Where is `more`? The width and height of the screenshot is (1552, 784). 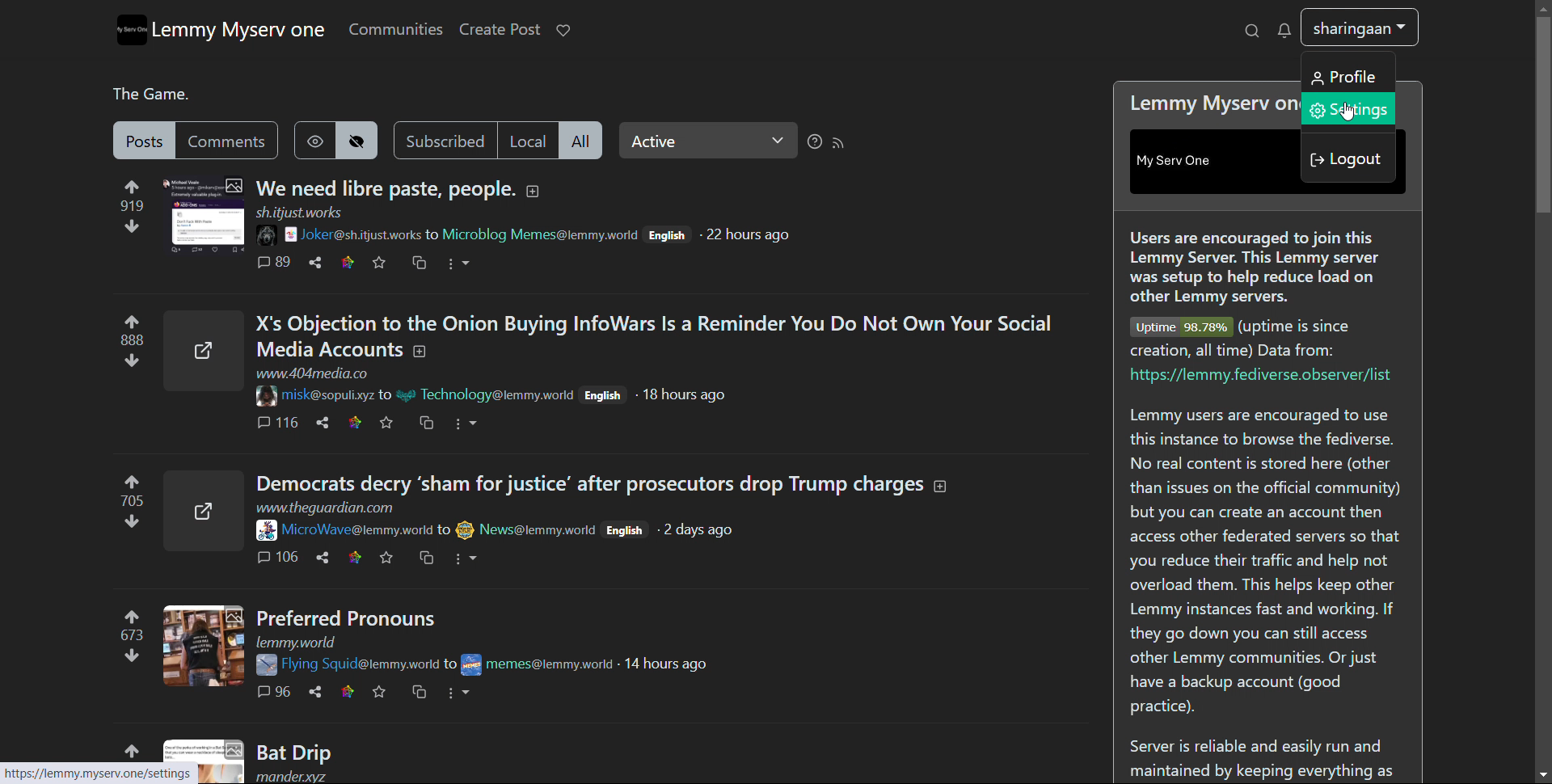
more is located at coordinates (458, 263).